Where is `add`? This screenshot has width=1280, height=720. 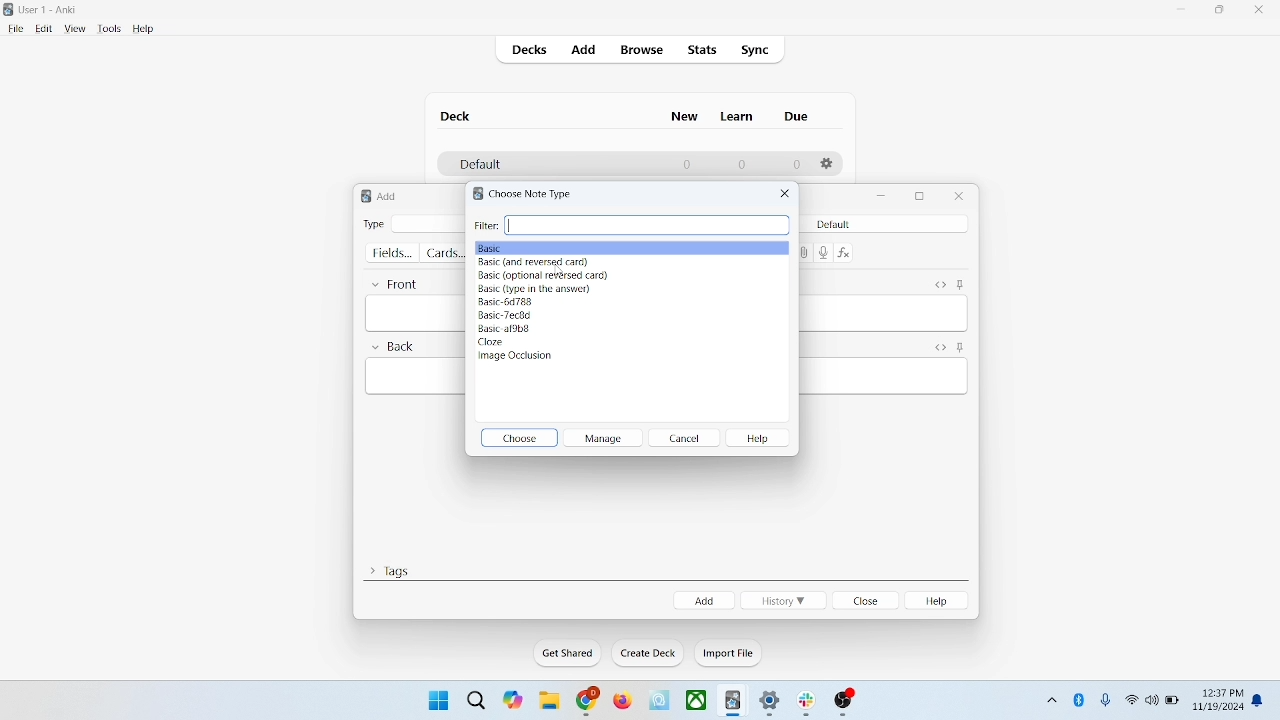
add is located at coordinates (390, 196).